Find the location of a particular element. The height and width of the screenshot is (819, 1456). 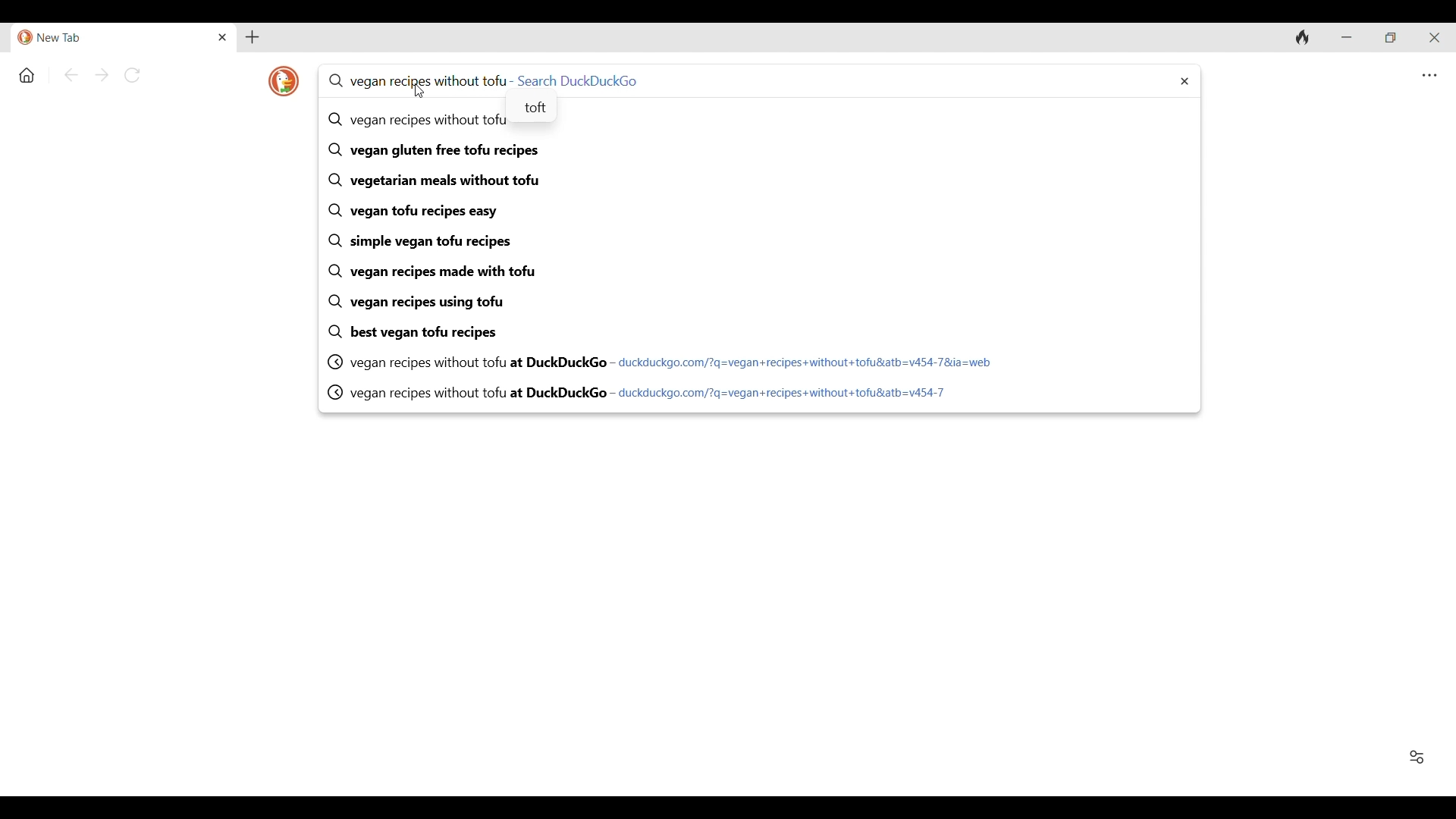

Q vegan recipes without tofu is located at coordinates (416, 119).